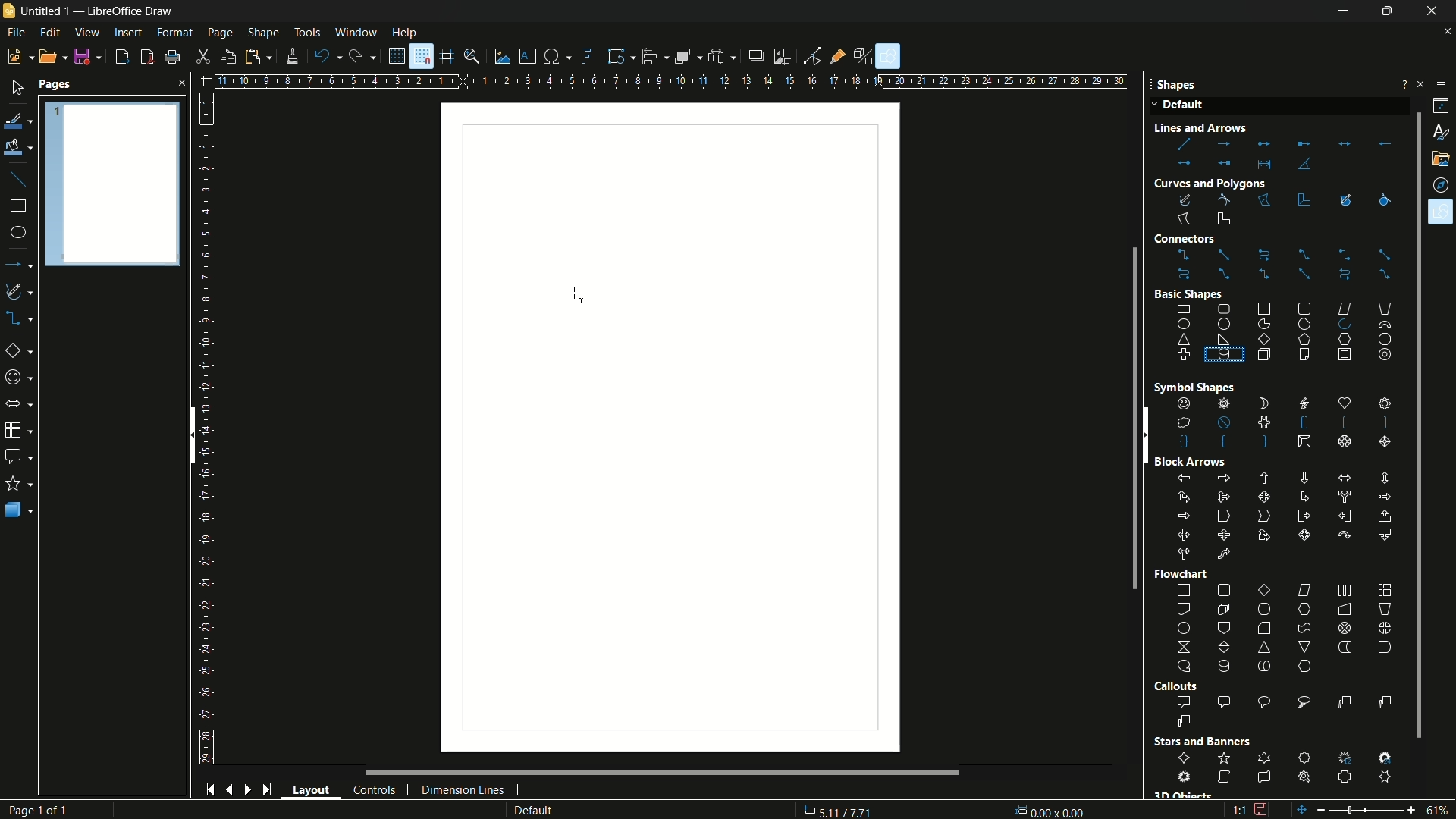 Image resolution: width=1456 pixels, height=819 pixels. I want to click on fill color, so click(17, 148).